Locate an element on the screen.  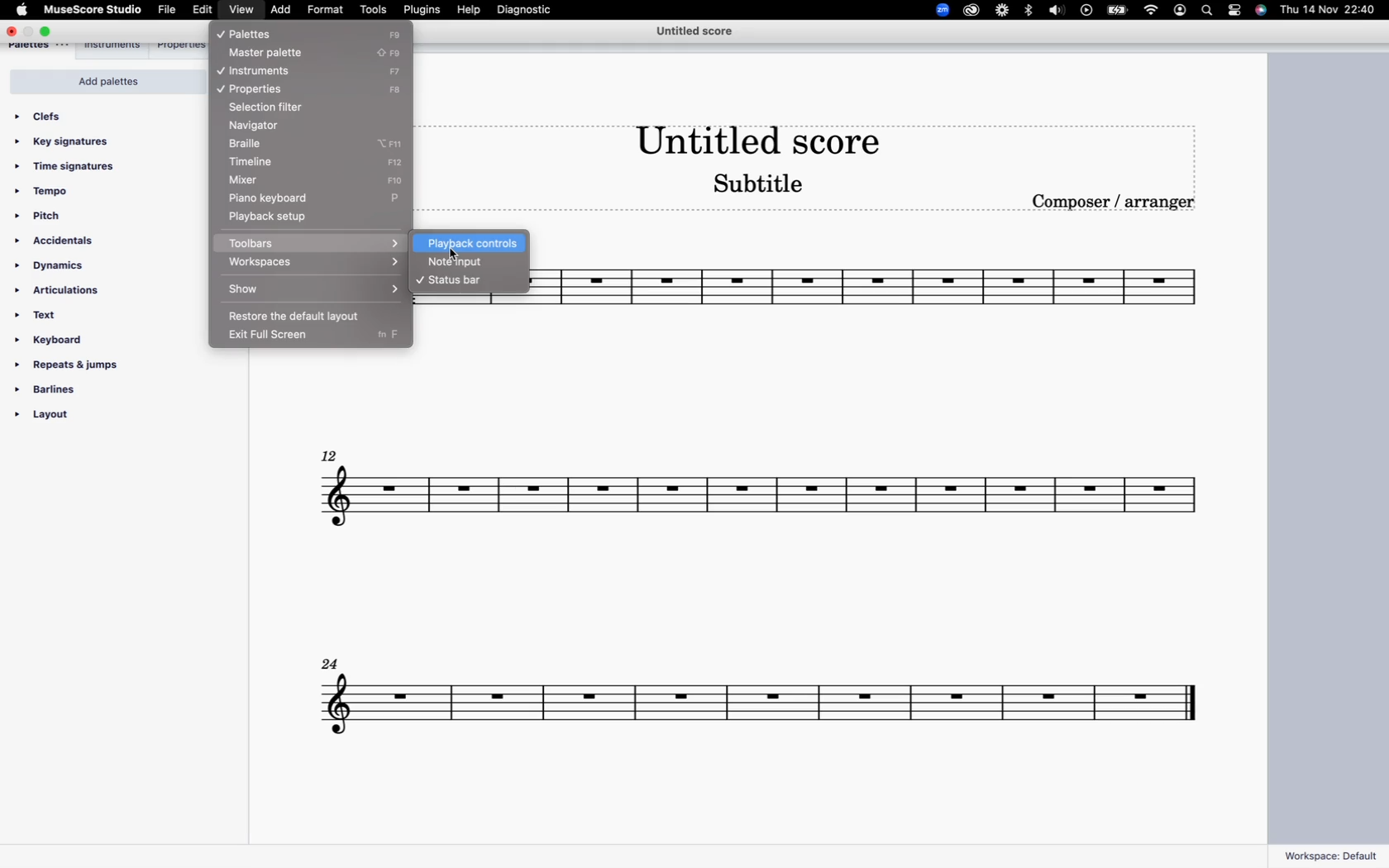
keyboard is located at coordinates (57, 340).